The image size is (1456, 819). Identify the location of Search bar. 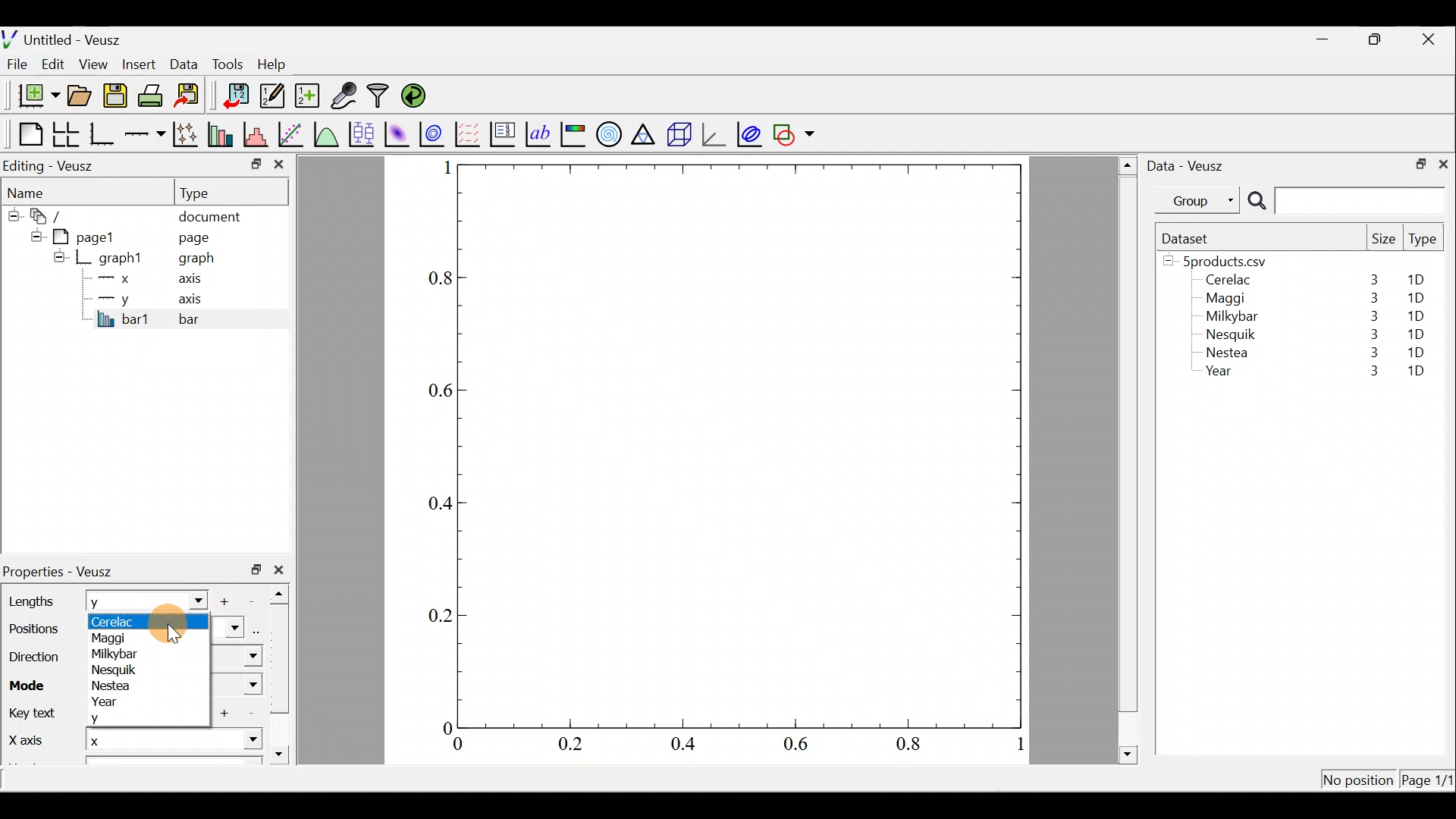
(1344, 201).